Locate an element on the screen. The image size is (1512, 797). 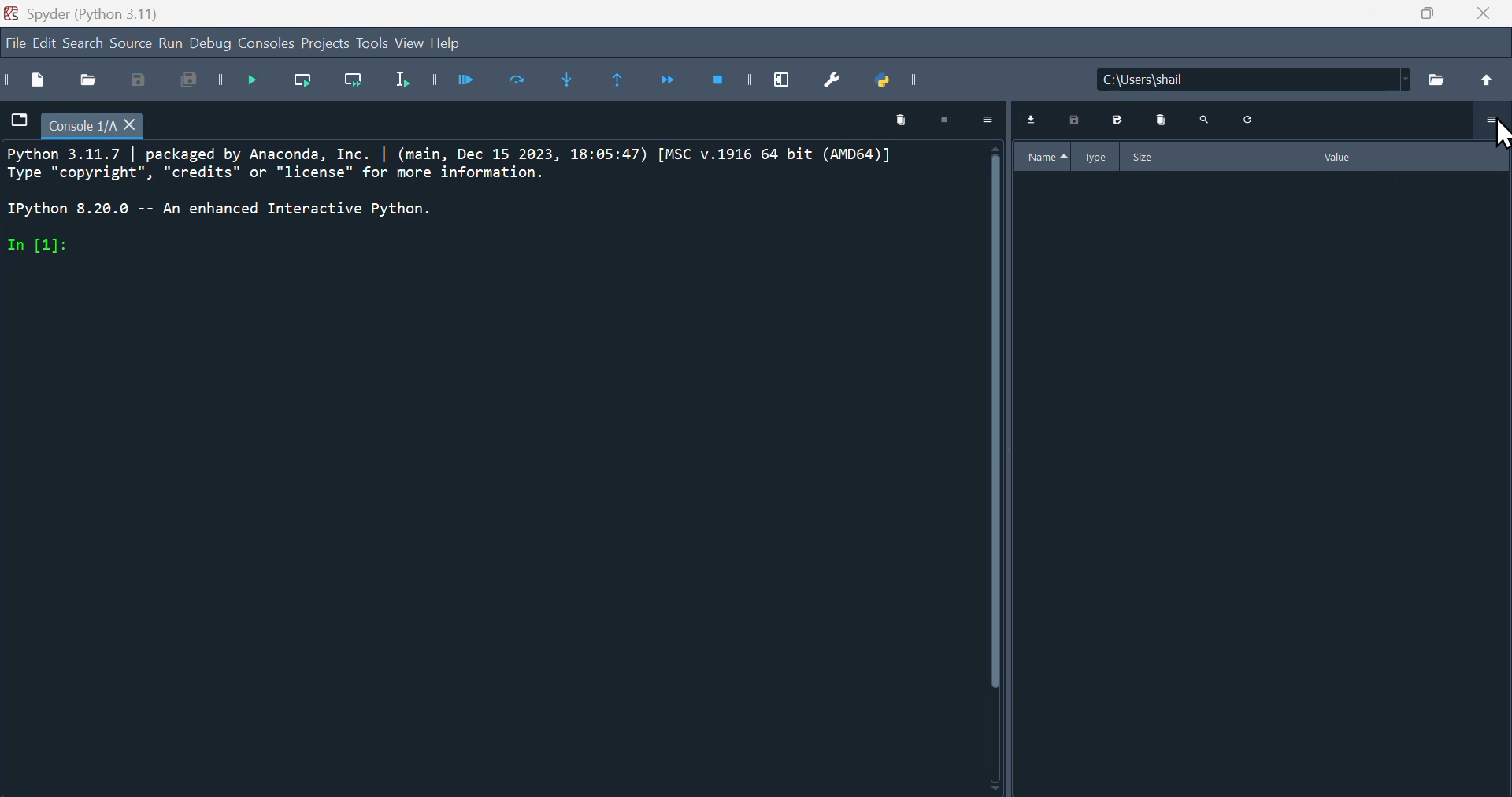
file is located at coordinates (18, 120).